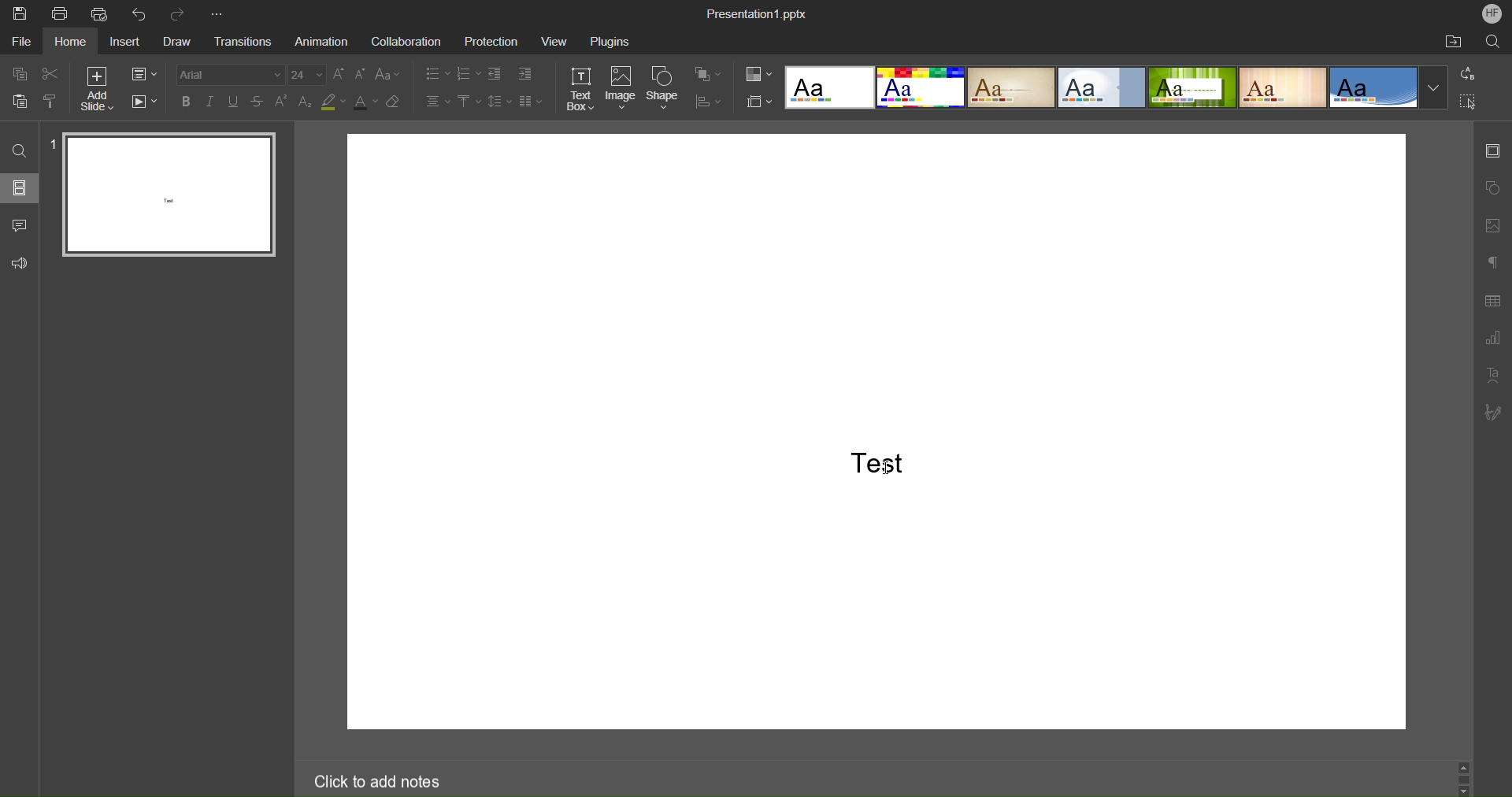 The image size is (1512, 797). I want to click on Colors, so click(759, 75).